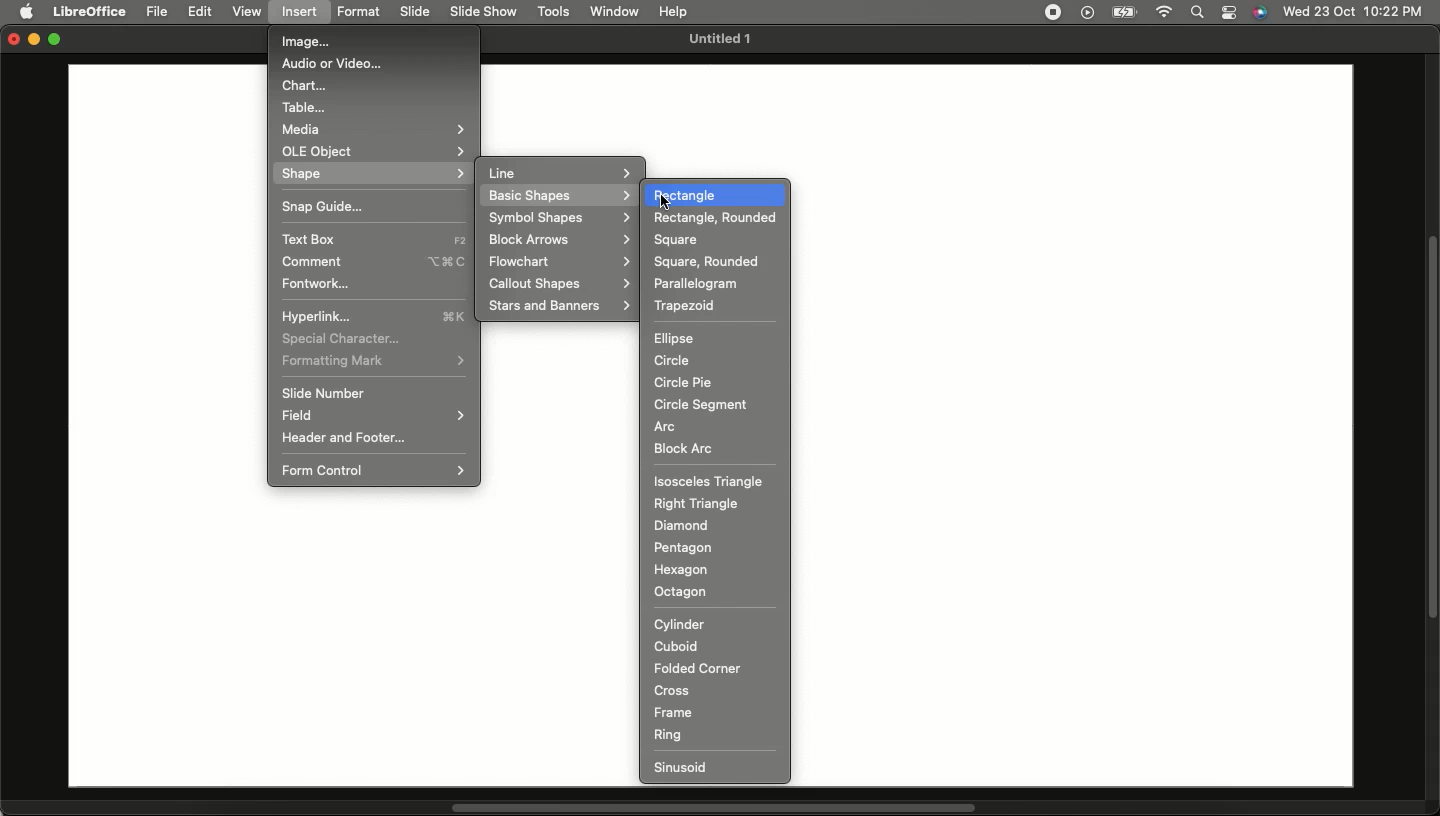  I want to click on Ellipse, so click(674, 339).